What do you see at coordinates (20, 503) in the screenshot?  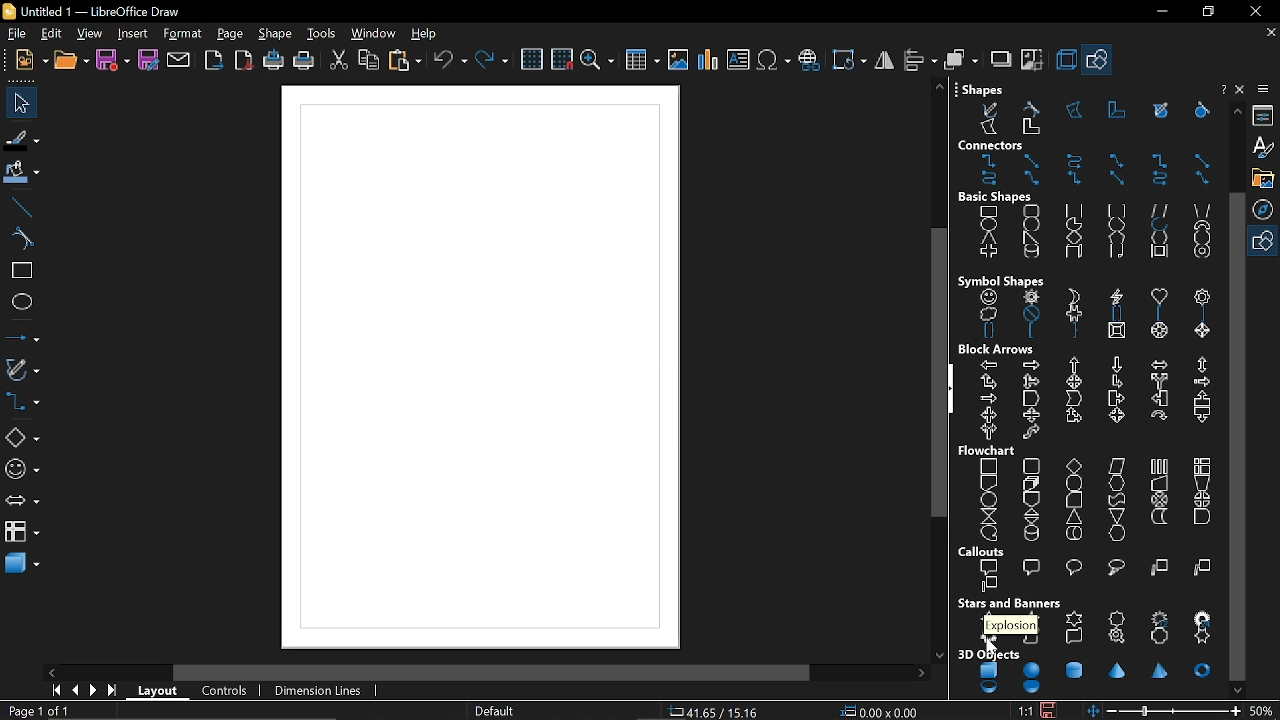 I see `arrows ` at bounding box center [20, 503].